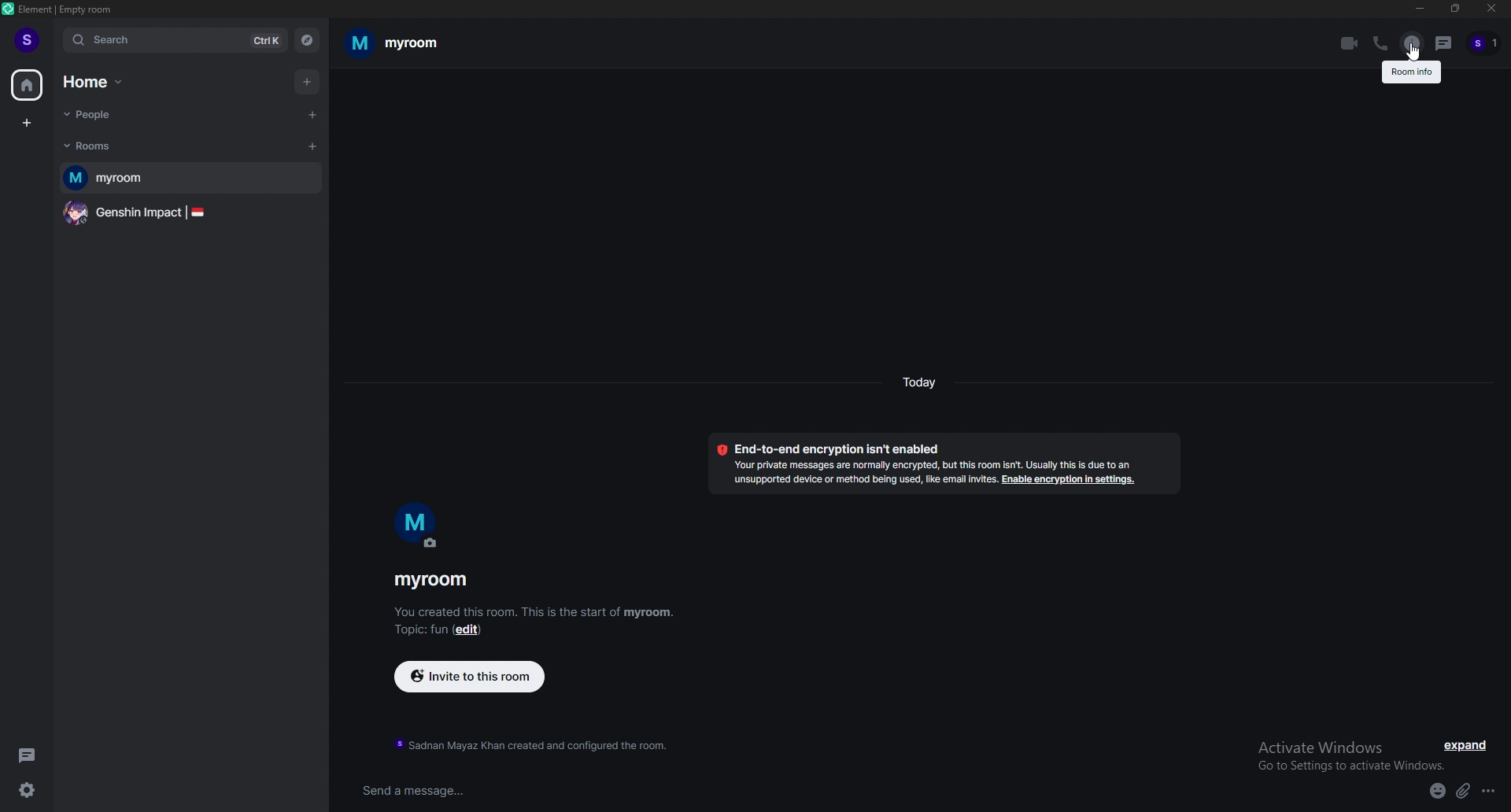 The height and width of the screenshot is (812, 1511). Describe the element at coordinates (434, 581) in the screenshot. I see `myroom` at that location.